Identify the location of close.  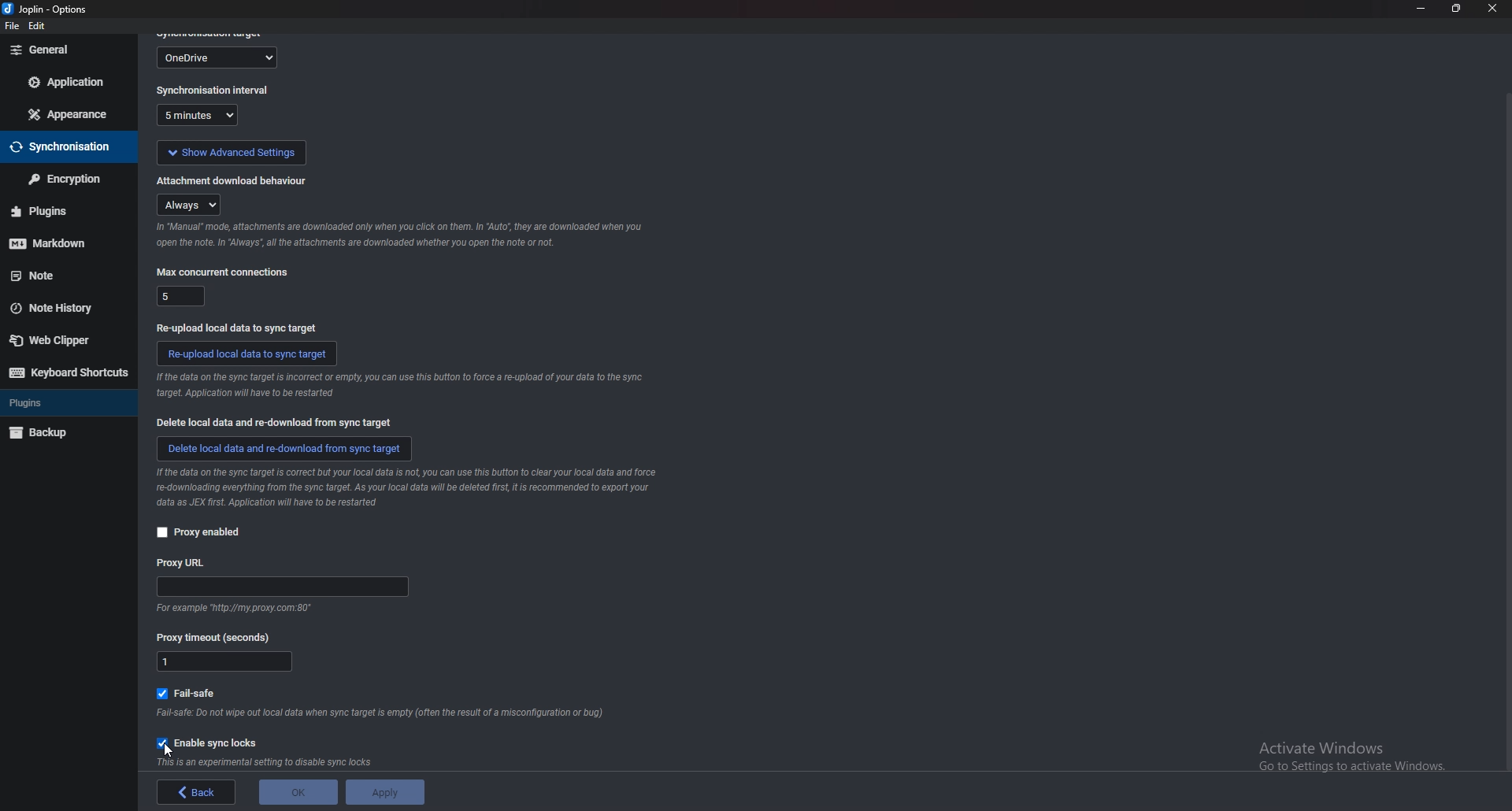
(1491, 9).